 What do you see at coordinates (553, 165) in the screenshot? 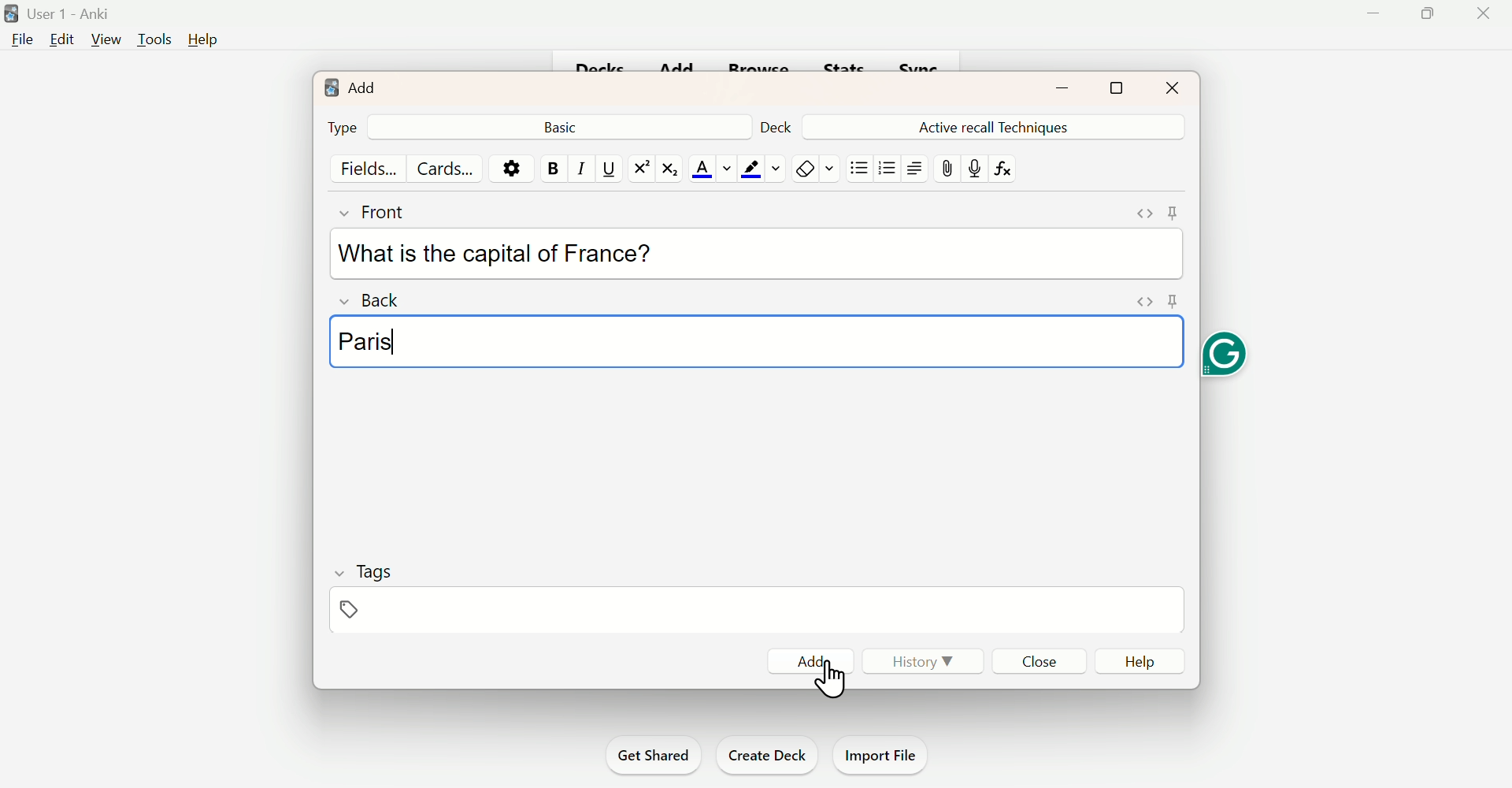
I see `Bold` at bounding box center [553, 165].